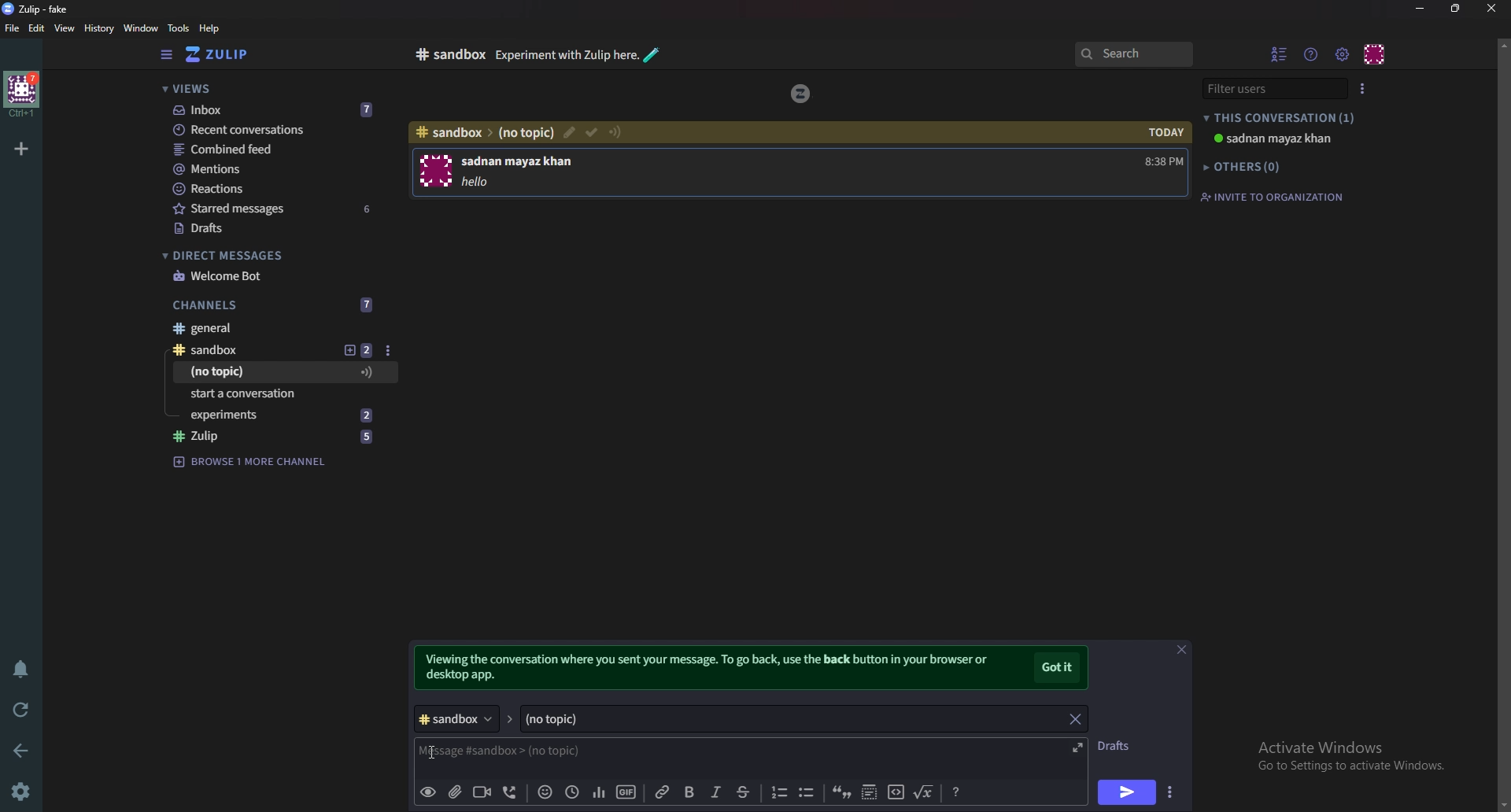  What do you see at coordinates (716, 794) in the screenshot?
I see `Italic` at bounding box center [716, 794].